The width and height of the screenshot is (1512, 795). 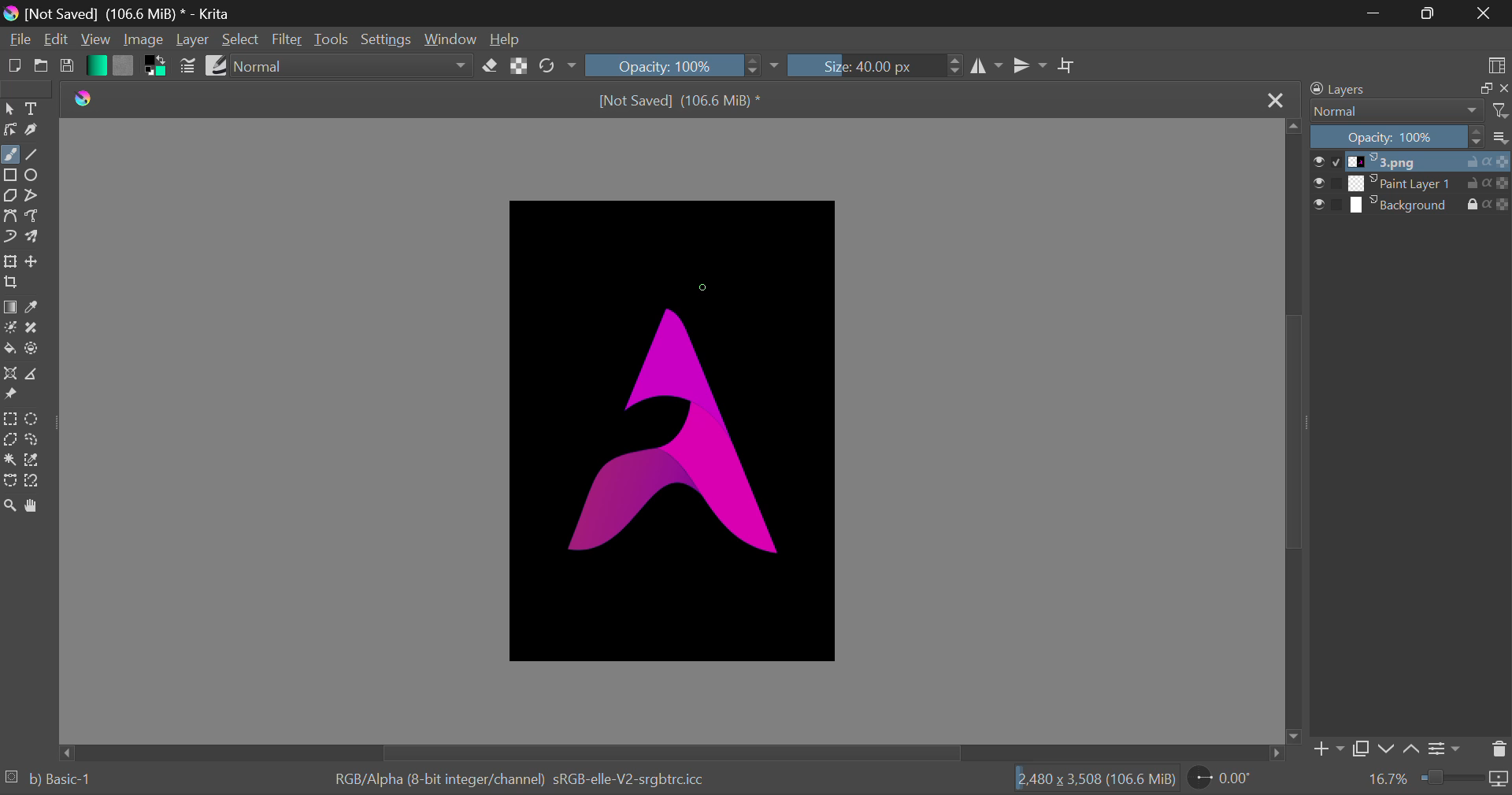 What do you see at coordinates (35, 327) in the screenshot?
I see `Smart Patch Tool` at bounding box center [35, 327].